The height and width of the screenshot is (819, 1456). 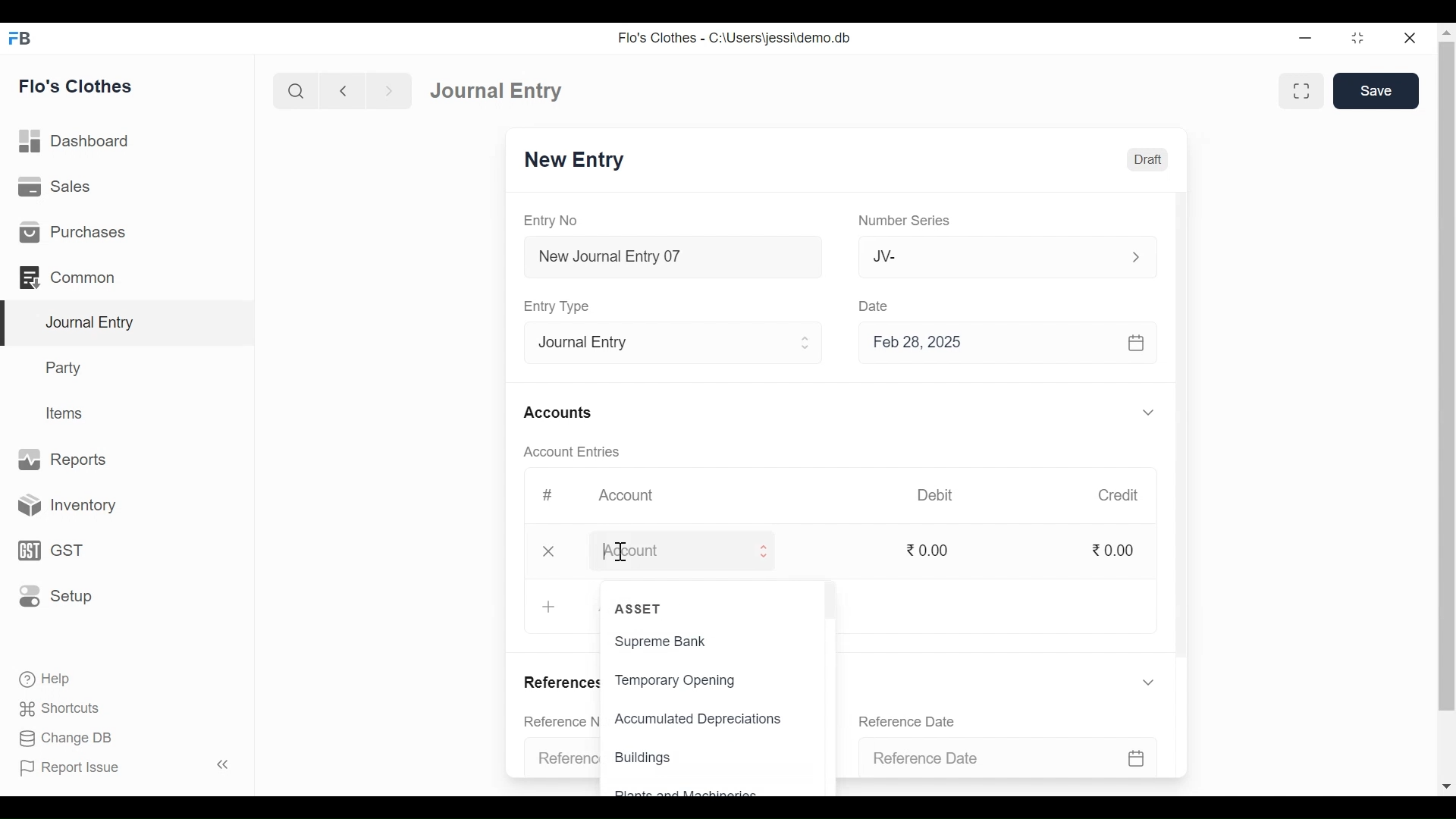 I want to click on Save, so click(x=1376, y=91).